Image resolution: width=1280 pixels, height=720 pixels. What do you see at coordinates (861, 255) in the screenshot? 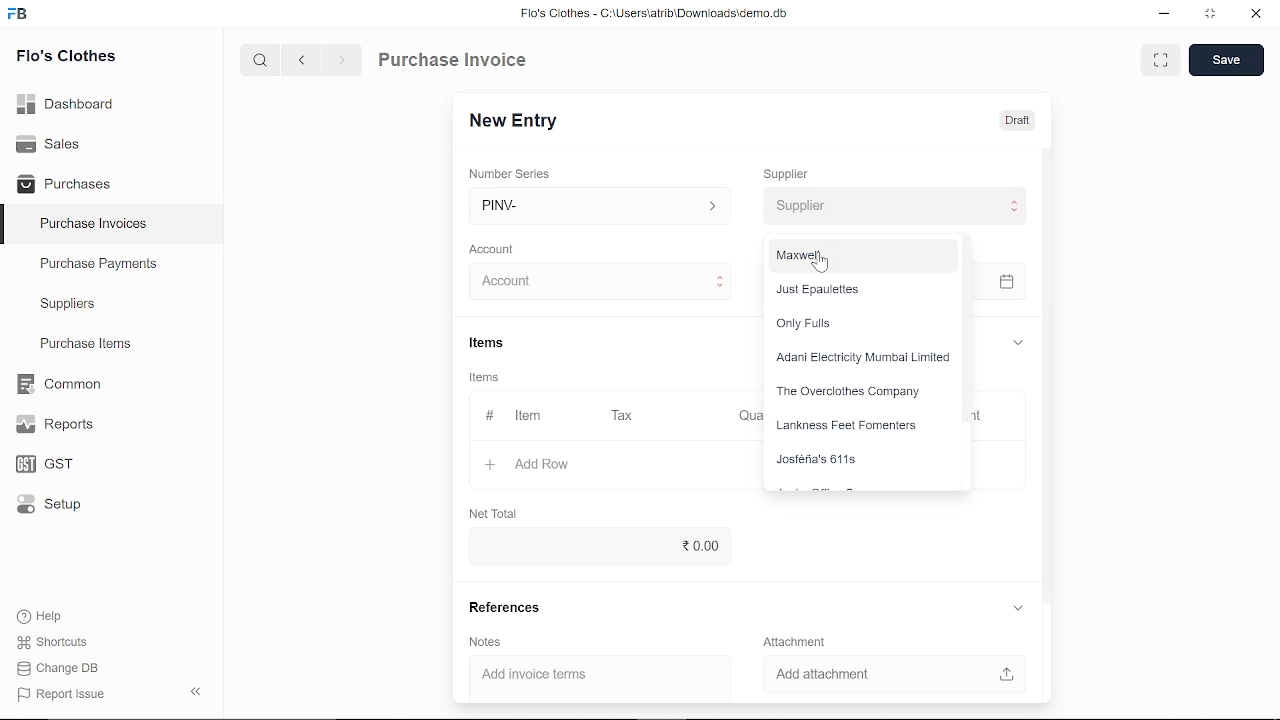
I see `Maxwell},` at bounding box center [861, 255].